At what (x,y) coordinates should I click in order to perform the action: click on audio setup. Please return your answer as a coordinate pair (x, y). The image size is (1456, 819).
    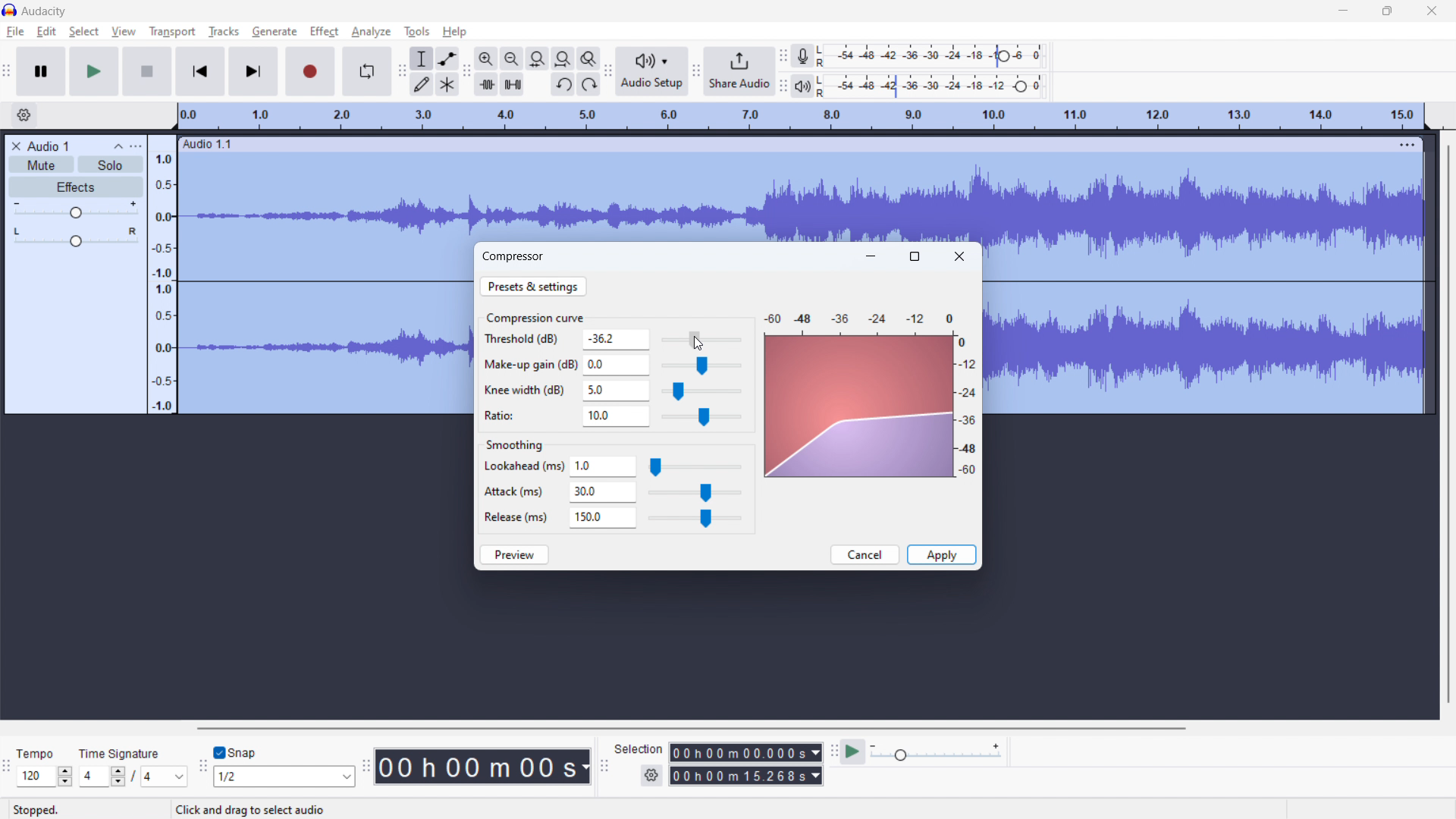
    Looking at the image, I should click on (651, 71).